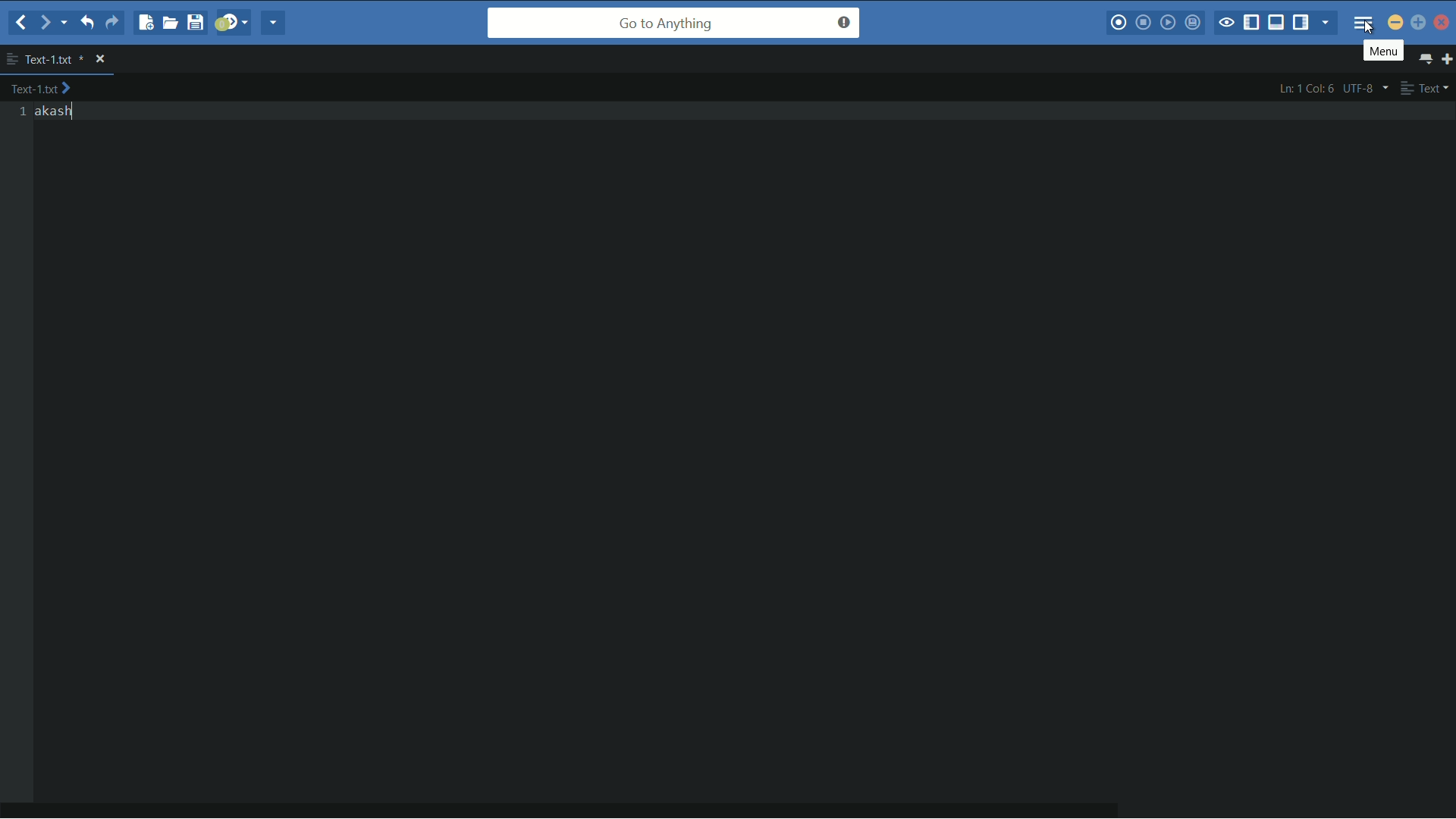 The image size is (1456, 819). What do you see at coordinates (56, 114) in the screenshot?
I see `text` at bounding box center [56, 114].